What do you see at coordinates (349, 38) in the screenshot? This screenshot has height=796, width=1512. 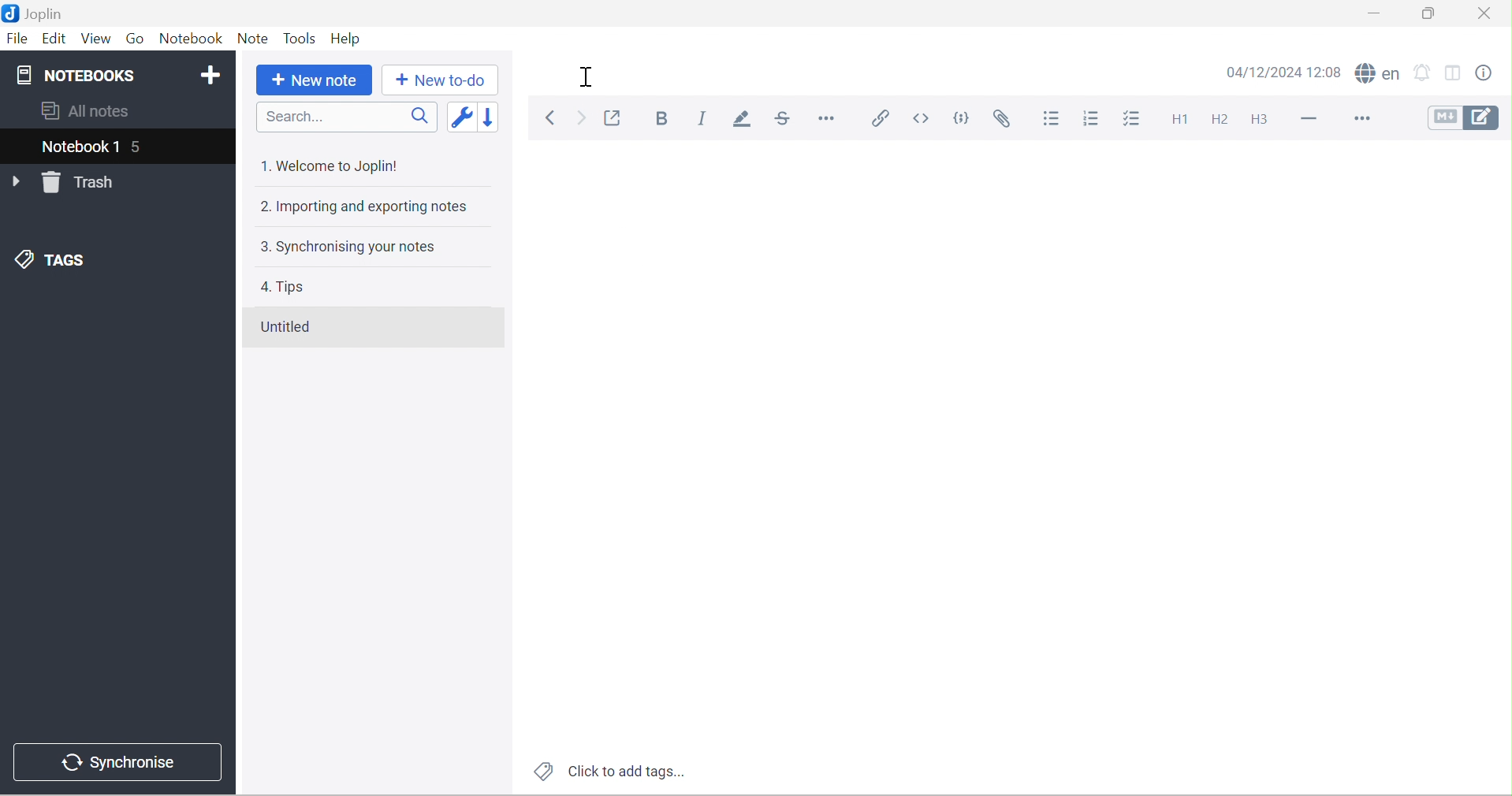 I see `Help` at bounding box center [349, 38].